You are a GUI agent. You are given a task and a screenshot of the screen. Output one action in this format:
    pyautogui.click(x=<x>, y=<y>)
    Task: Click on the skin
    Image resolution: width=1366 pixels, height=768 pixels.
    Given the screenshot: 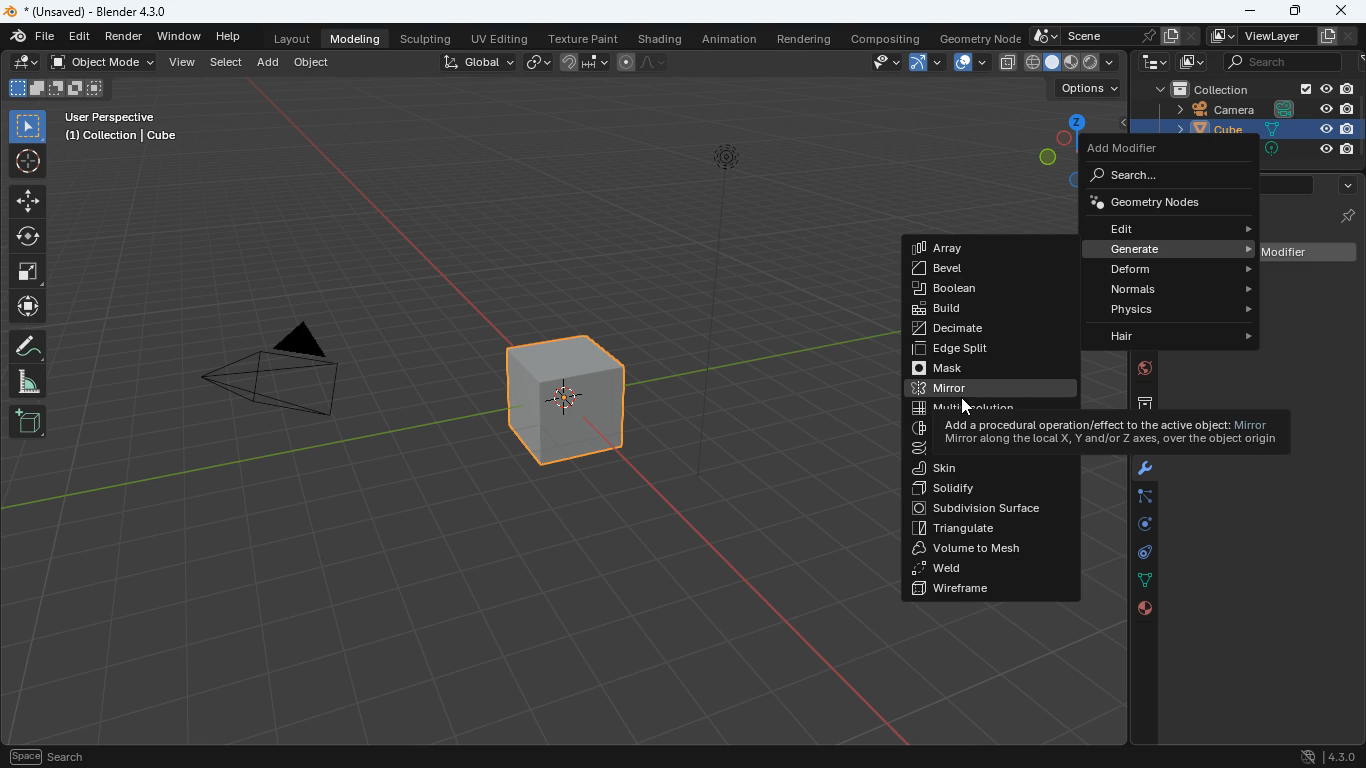 What is the action you would take?
    pyautogui.click(x=986, y=467)
    